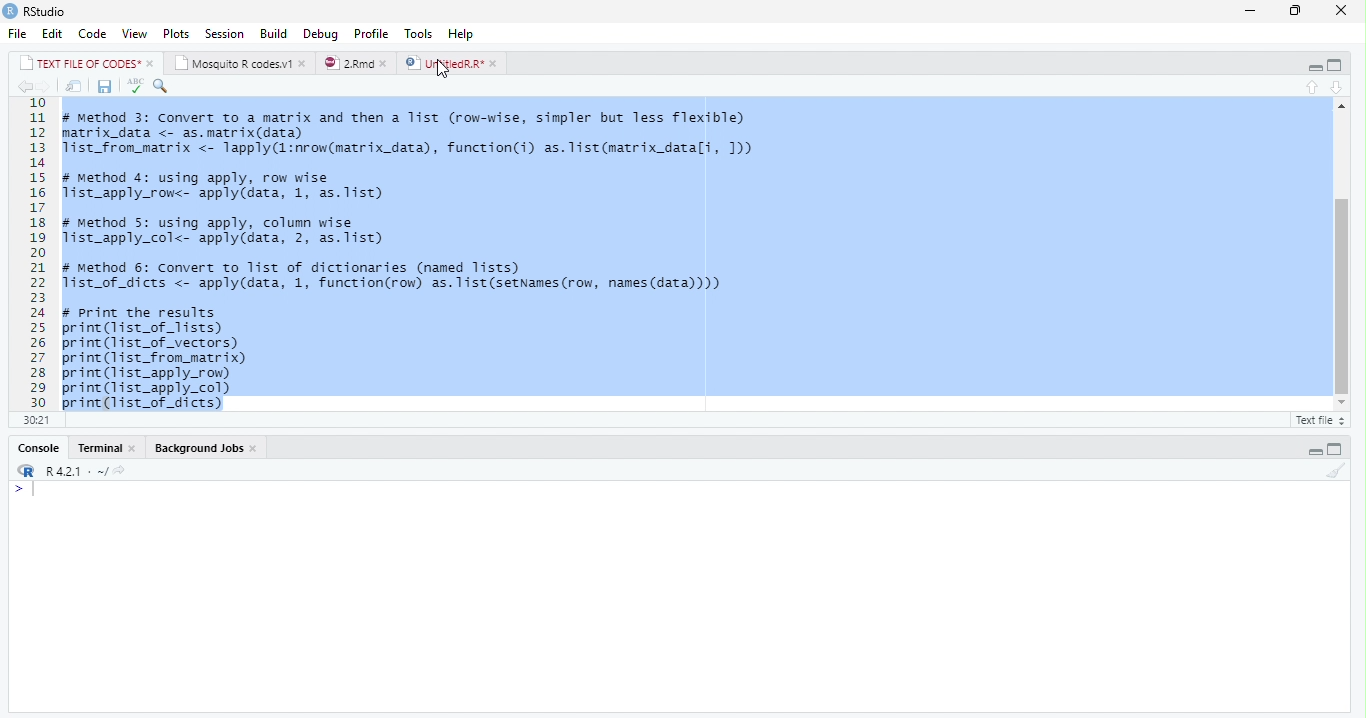 This screenshot has width=1366, height=718. Describe the element at coordinates (44, 87) in the screenshot. I see `Go to next location` at that location.